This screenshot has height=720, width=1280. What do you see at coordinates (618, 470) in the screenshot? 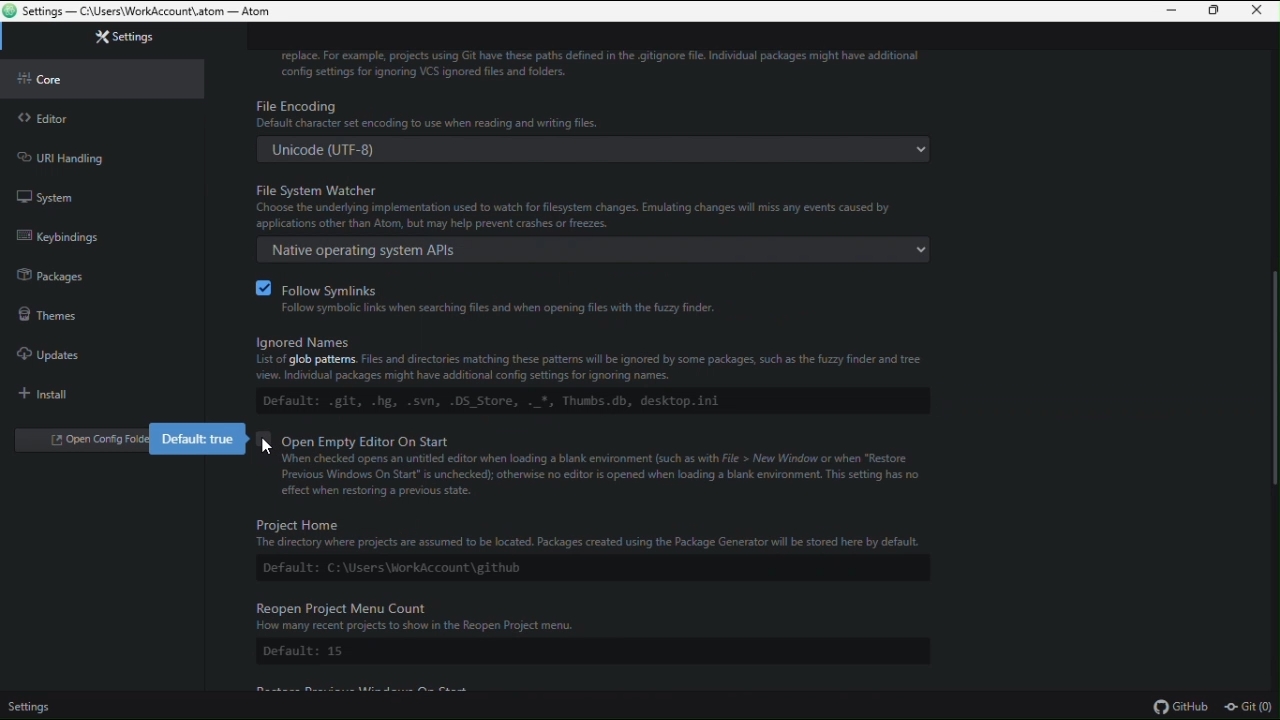
I see `open empty editor on start` at bounding box center [618, 470].